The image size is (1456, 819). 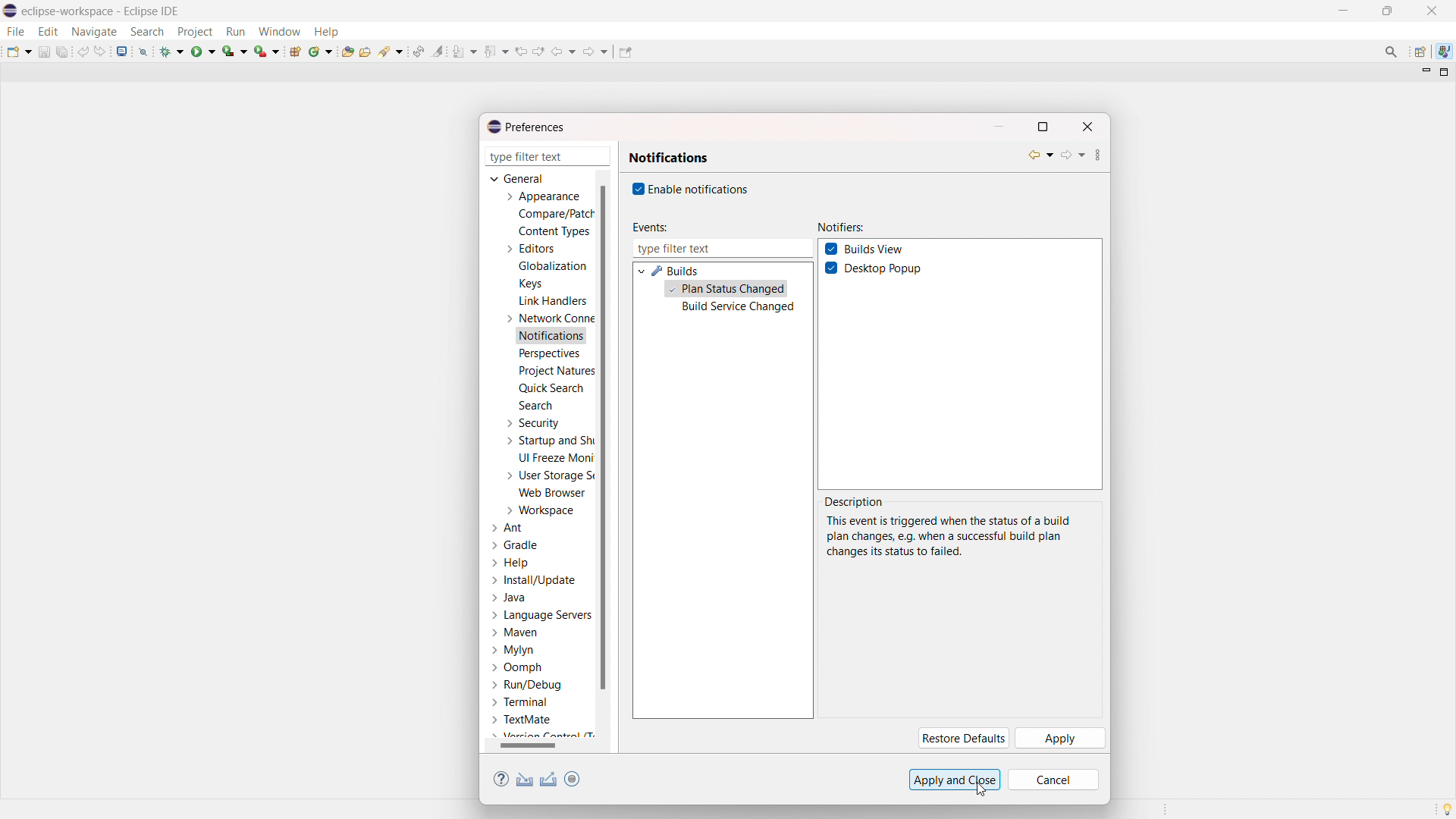 I want to click on security, so click(x=532, y=423).